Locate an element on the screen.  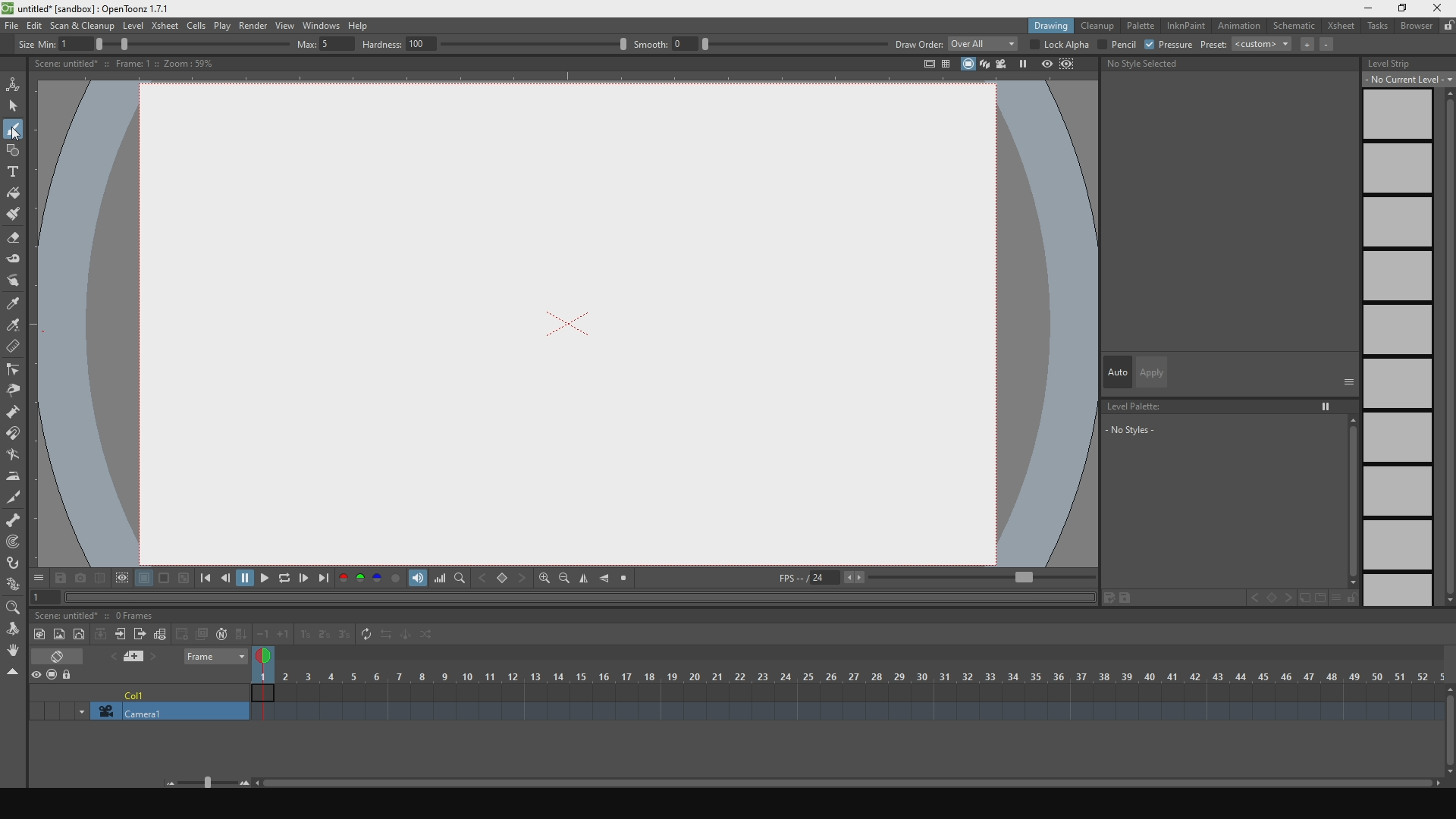
erase is located at coordinates (14, 238).